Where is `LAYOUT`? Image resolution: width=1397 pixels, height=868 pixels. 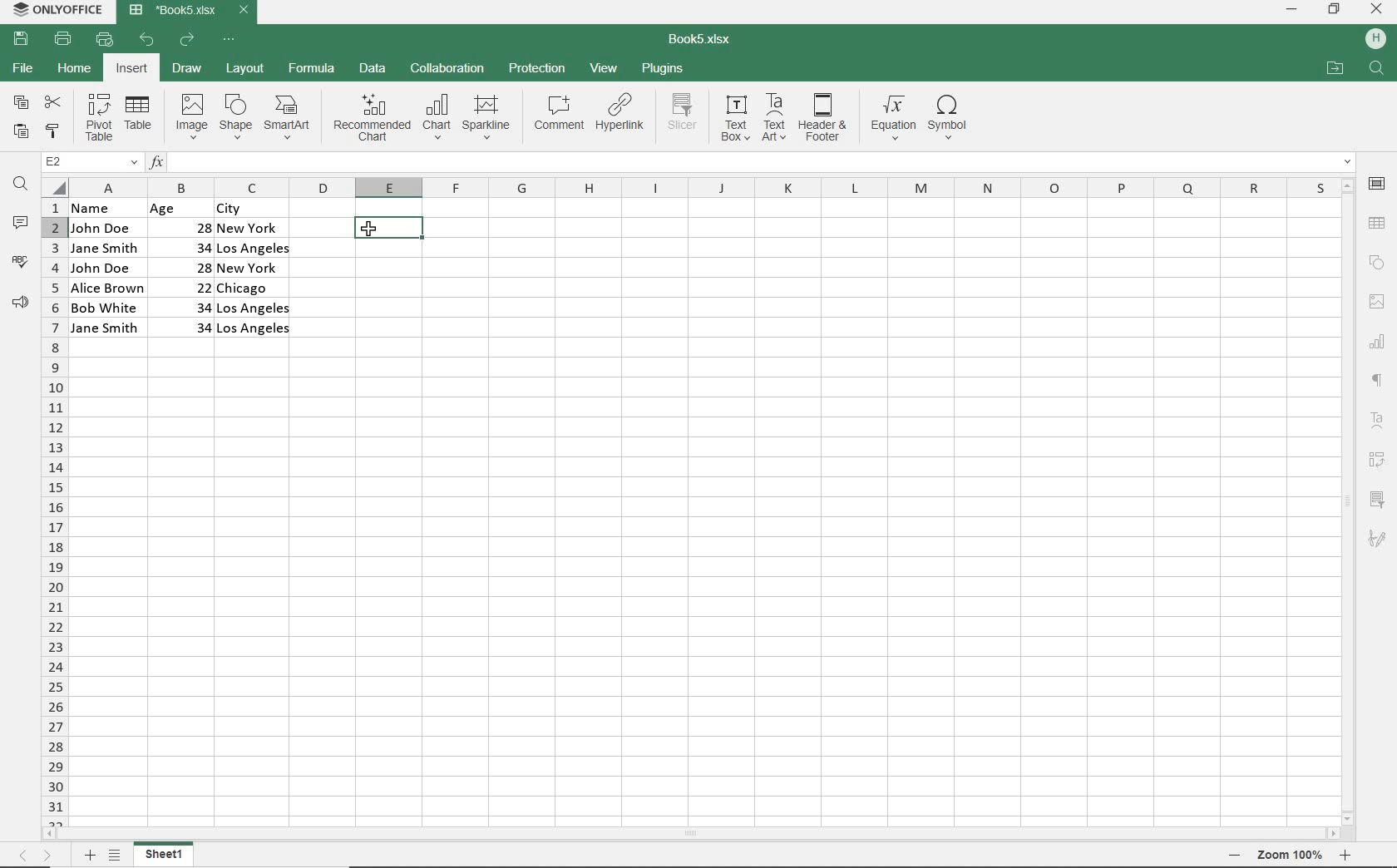 LAYOUT is located at coordinates (245, 69).